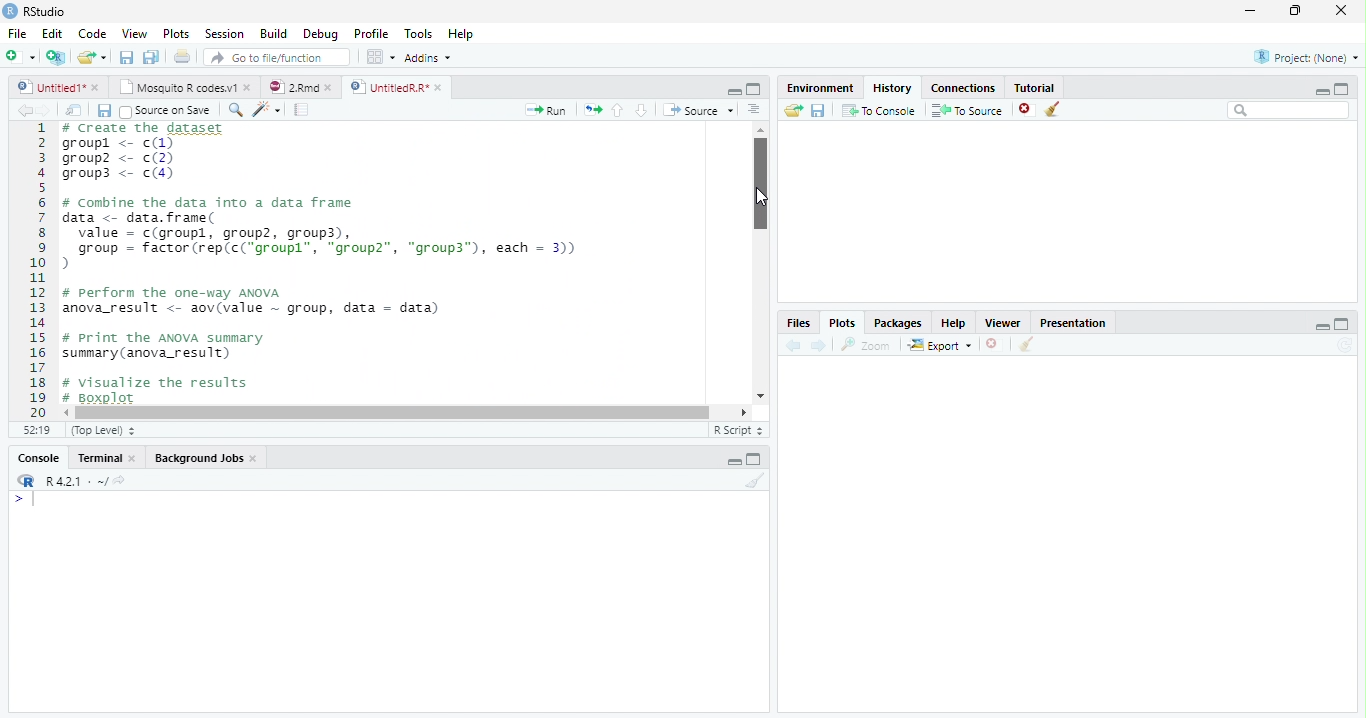 The height and width of the screenshot is (718, 1366). I want to click on Pages, so click(301, 111).